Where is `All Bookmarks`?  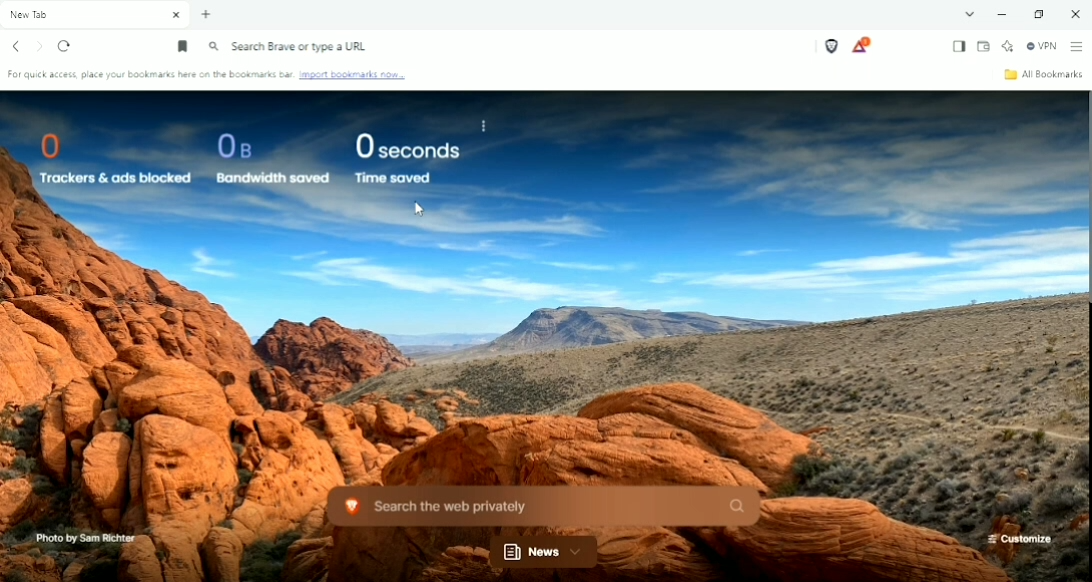 All Bookmarks is located at coordinates (1043, 74).